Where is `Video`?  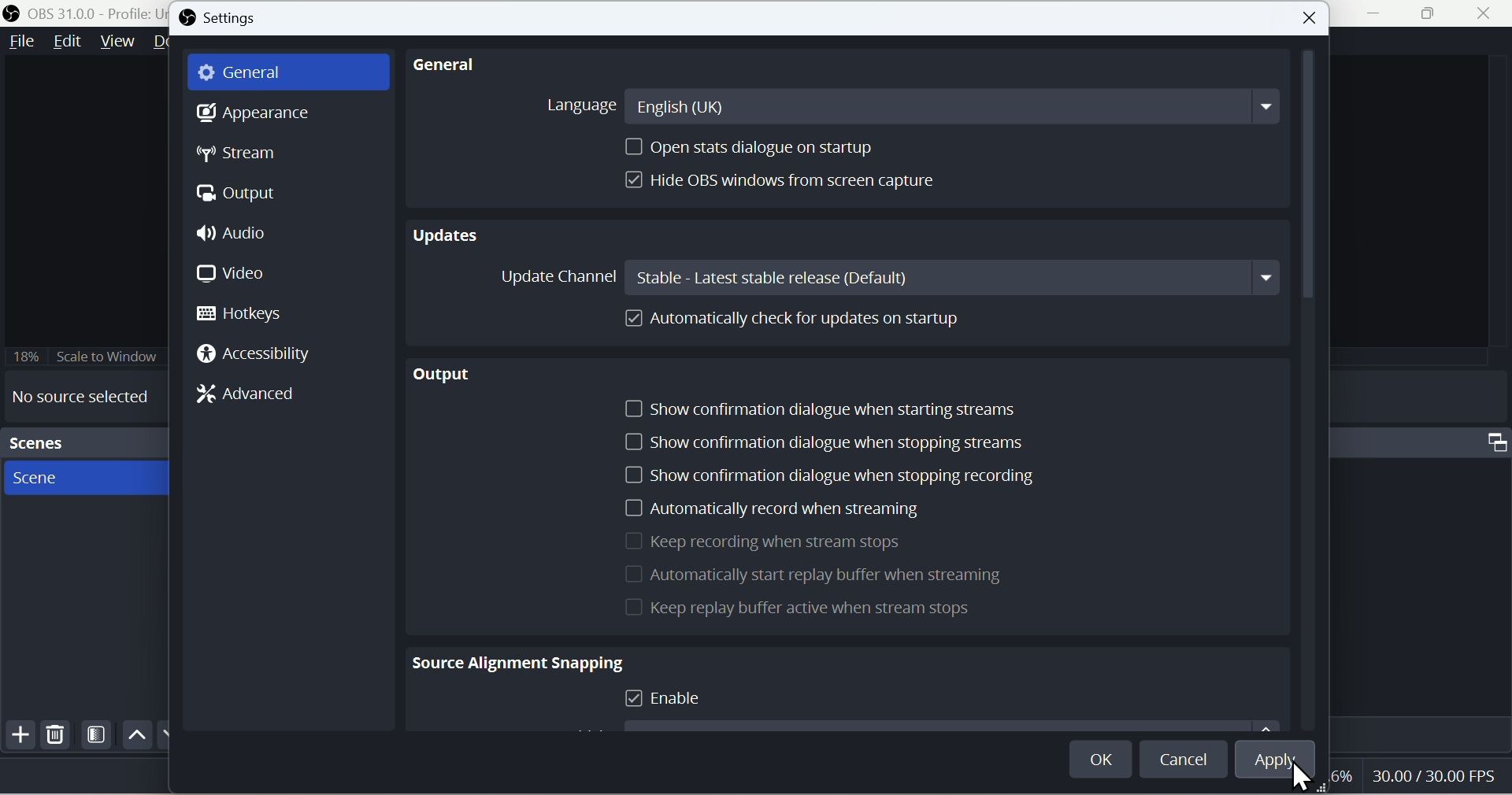 Video is located at coordinates (242, 275).